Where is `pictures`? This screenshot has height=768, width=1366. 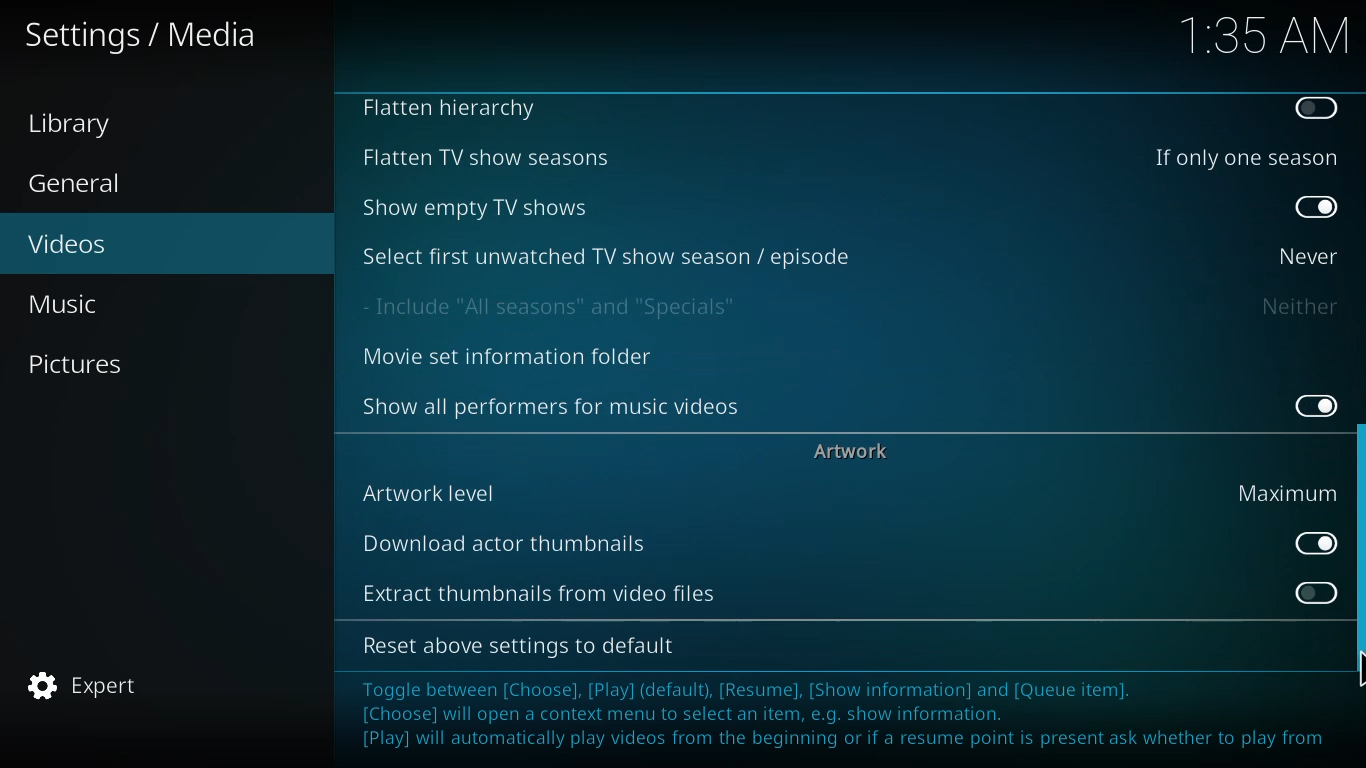 pictures is located at coordinates (79, 363).